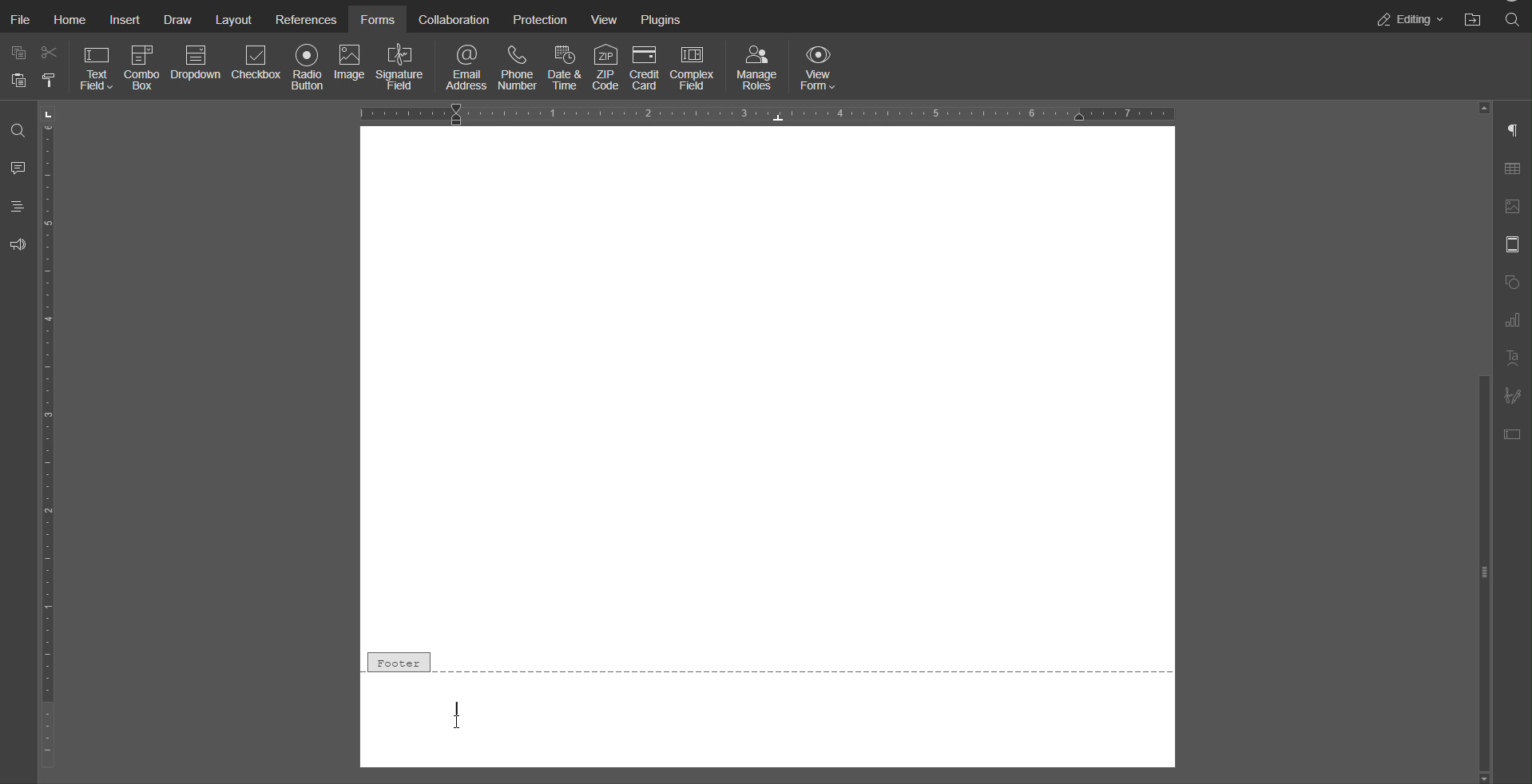 The height and width of the screenshot is (784, 1532). What do you see at coordinates (647, 67) in the screenshot?
I see `Credit Card` at bounding box center [647, 67].